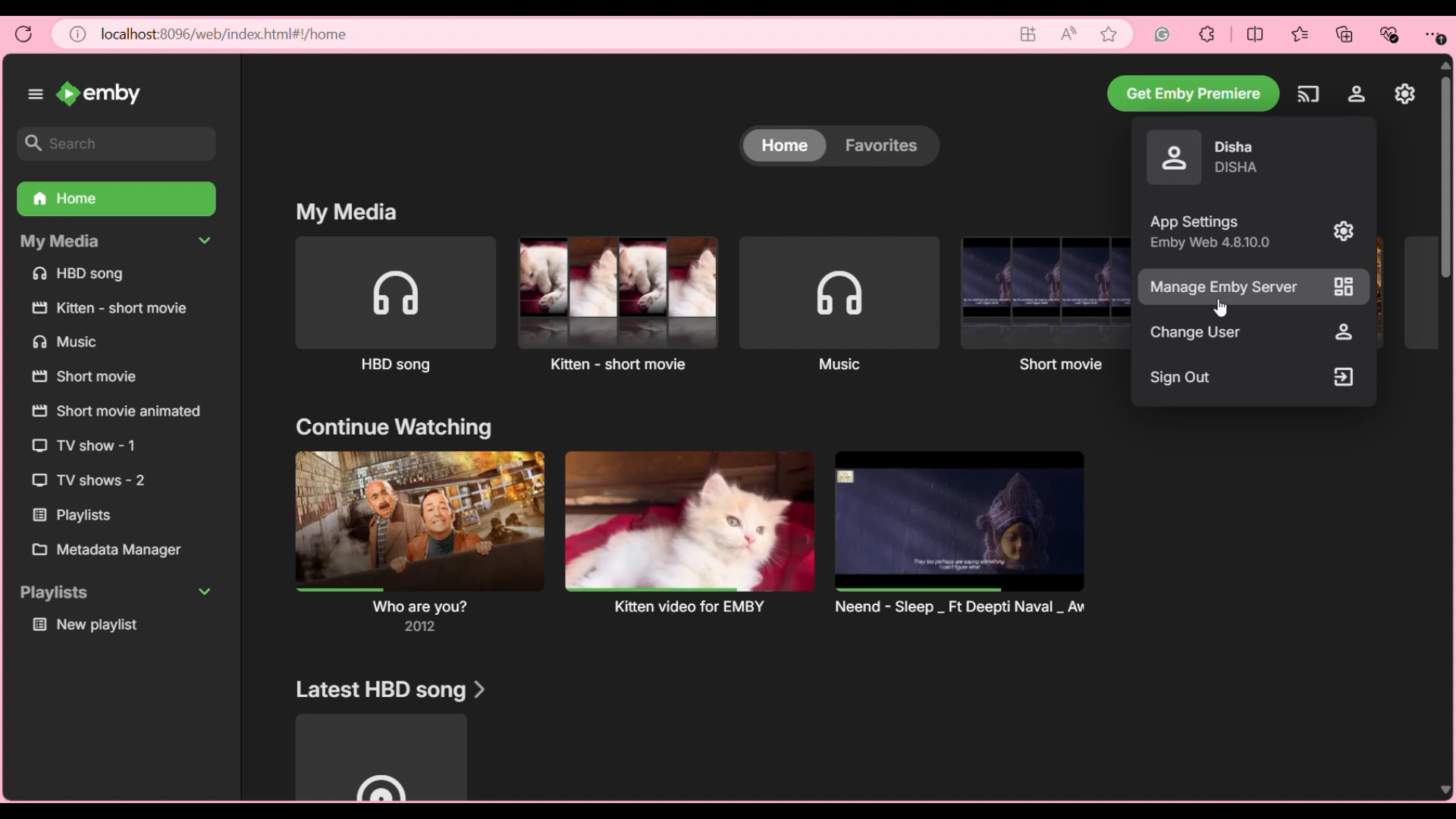  What do you see at coordinates (65, 343) in the screenshot?
I see `music` at bounding box center [65, 343].